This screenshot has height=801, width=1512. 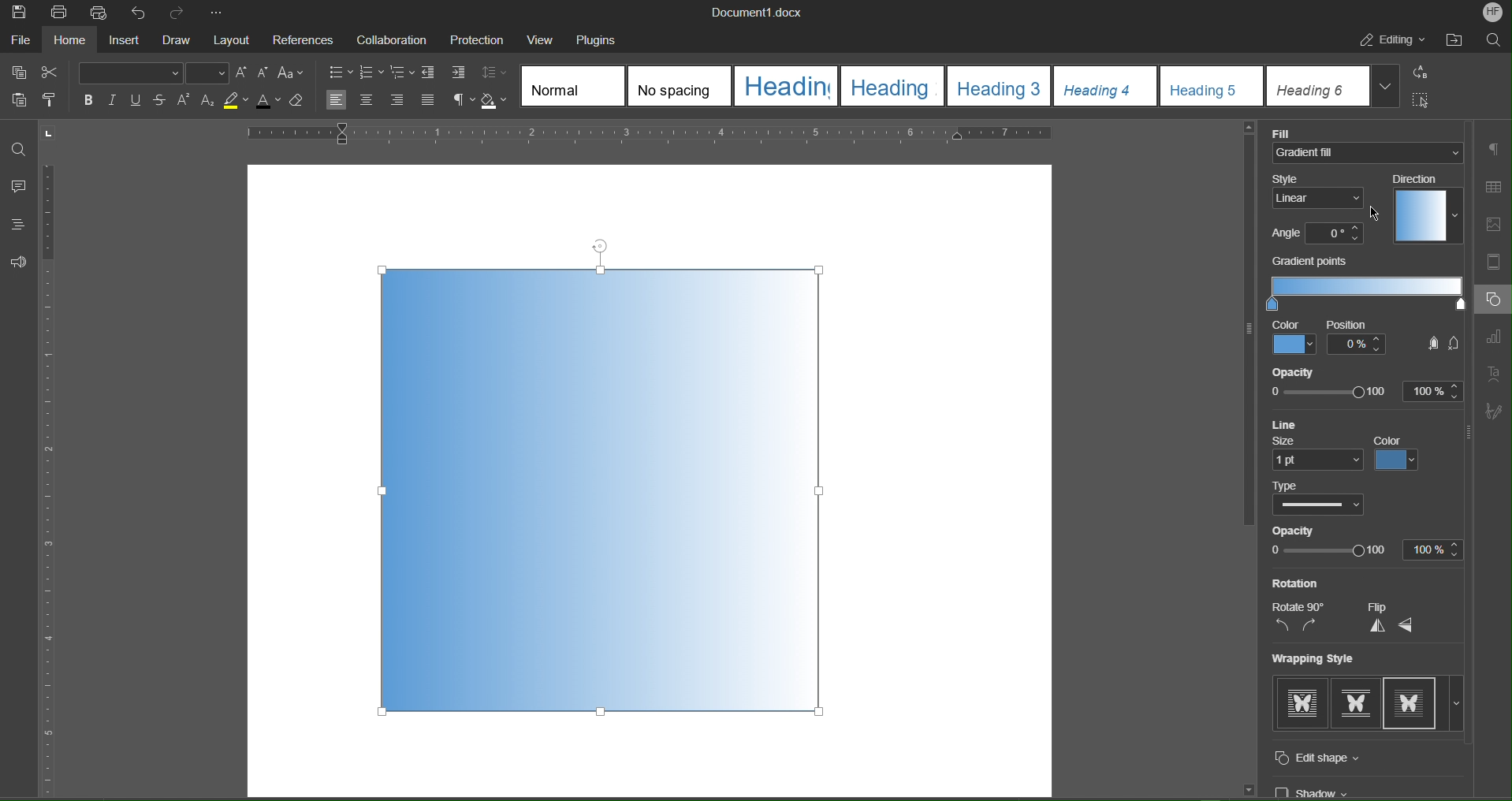 What do you see at coordinates (178, 39) in the screenshot?
I see `Draw` at bounding box center [178, 39].